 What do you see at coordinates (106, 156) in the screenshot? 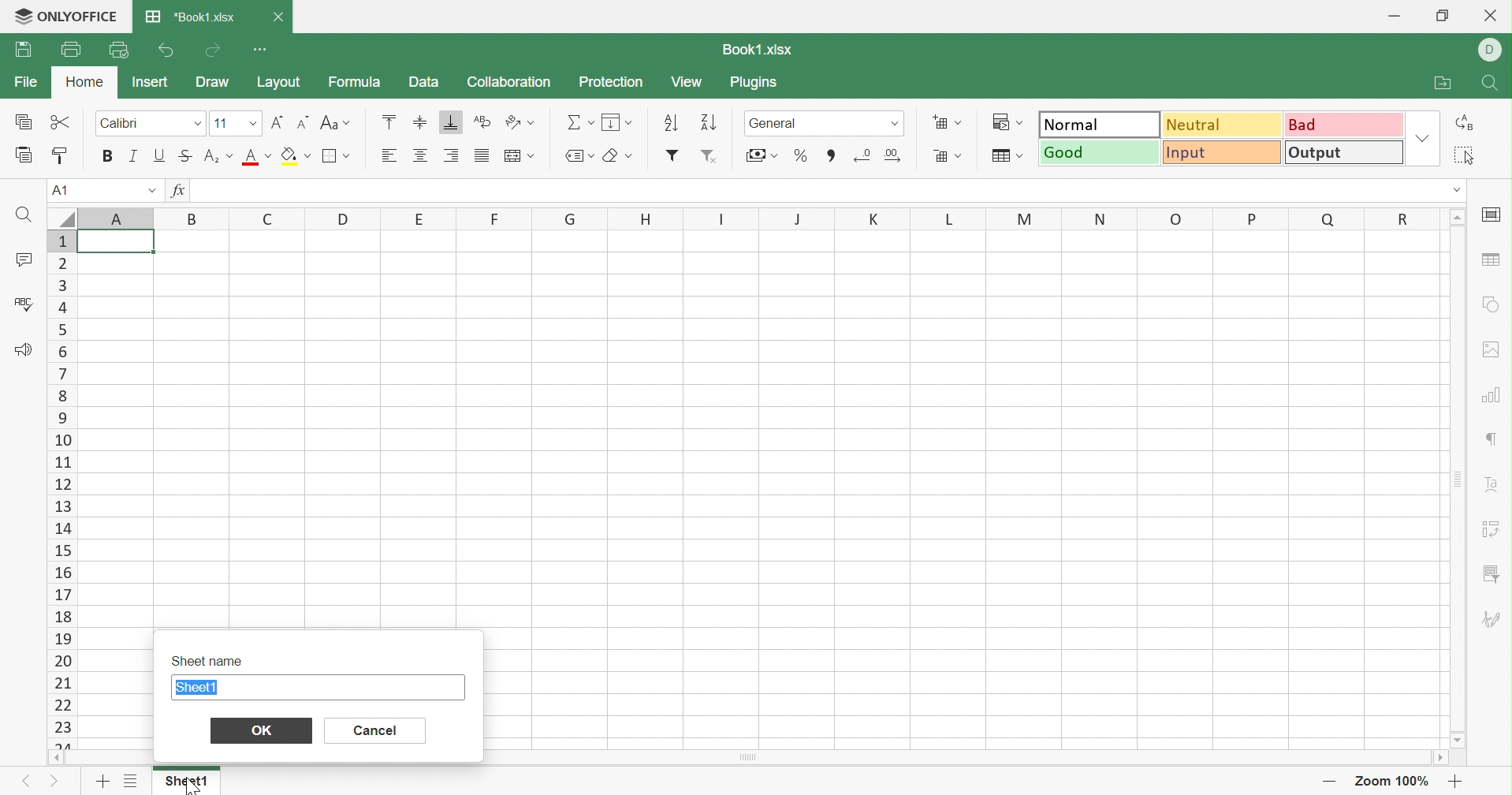
I see `Bold` at bounding box center [106, 156].